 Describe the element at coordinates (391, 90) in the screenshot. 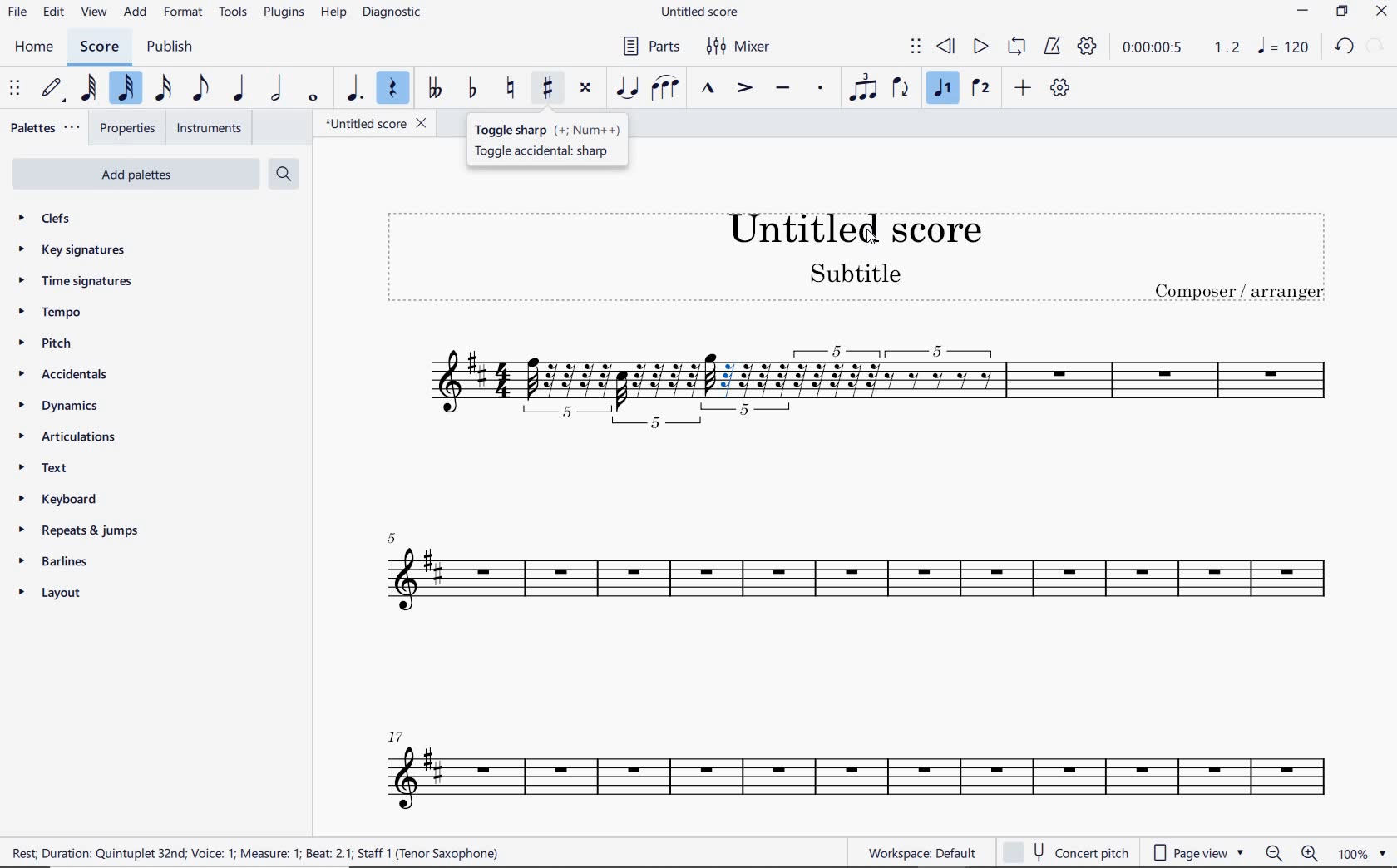

I see `REST` at that location.